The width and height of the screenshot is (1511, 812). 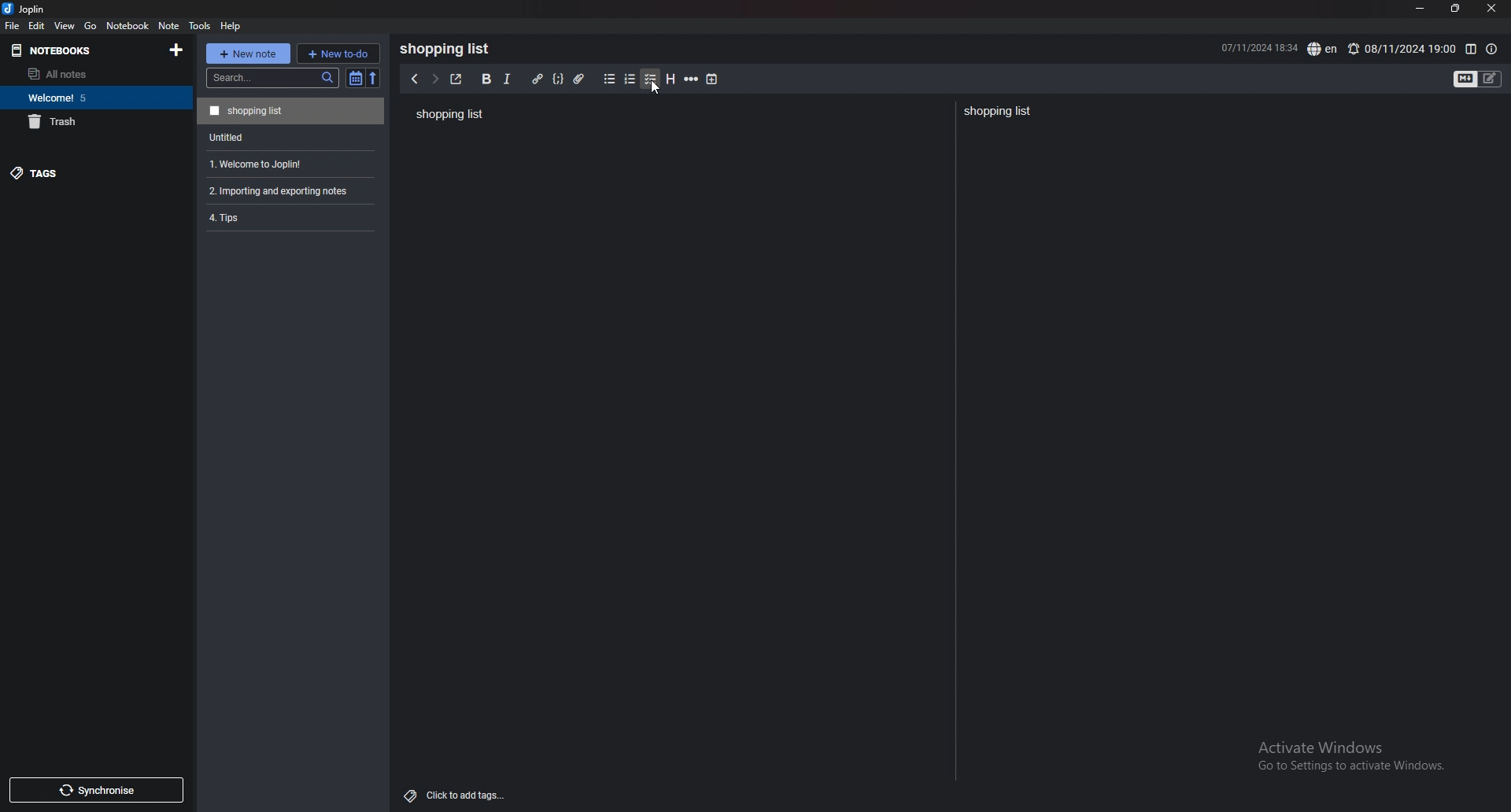 What do you see at coordinates (1491, 9) in the screenshot?
I see `close` at bounding box center [1491, 9].